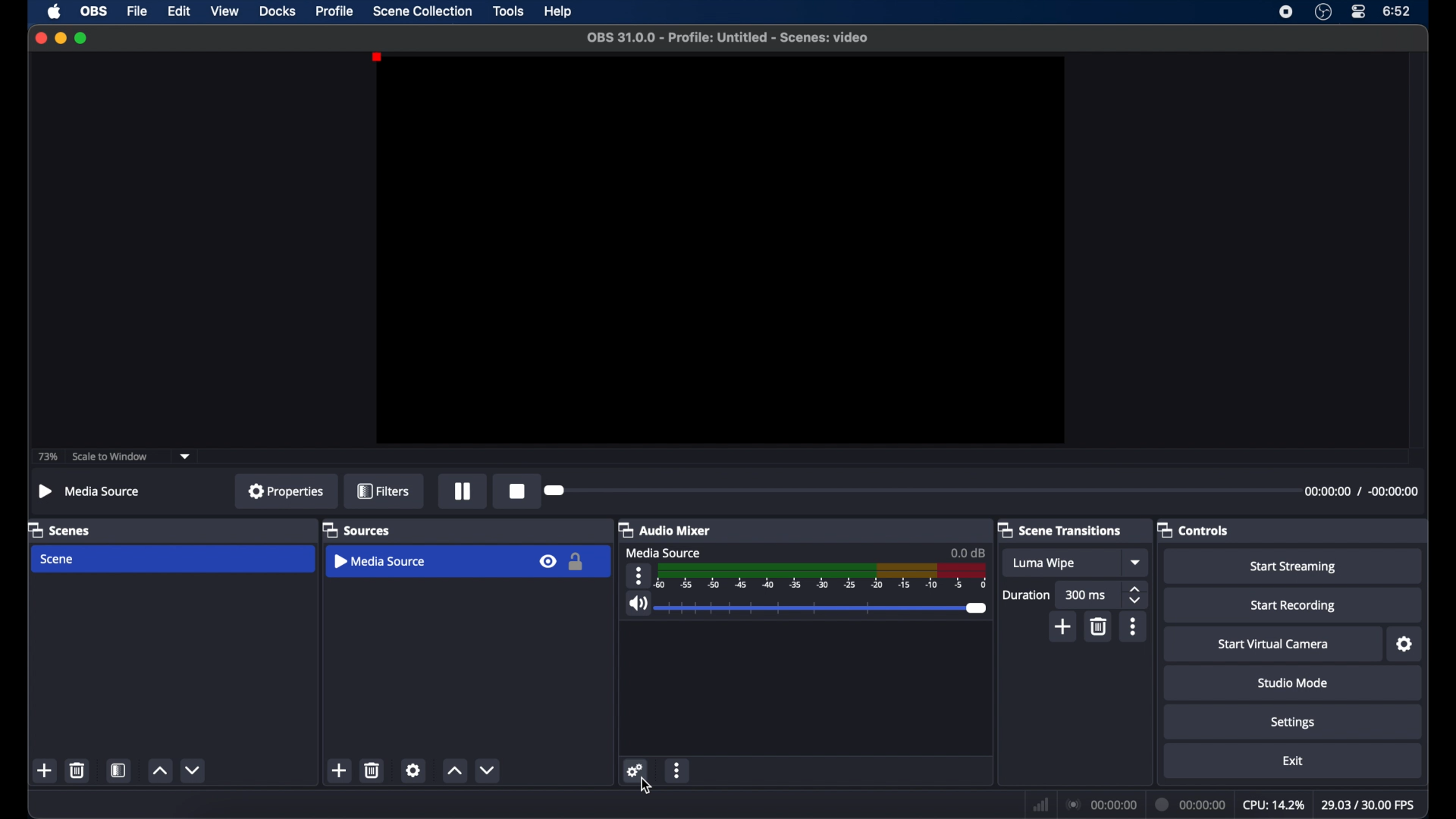 The height and width of the screenshot is (819, 1456). Describe the element at coordinates (60, 531) in the screenshot. I see `scenes` at that location.